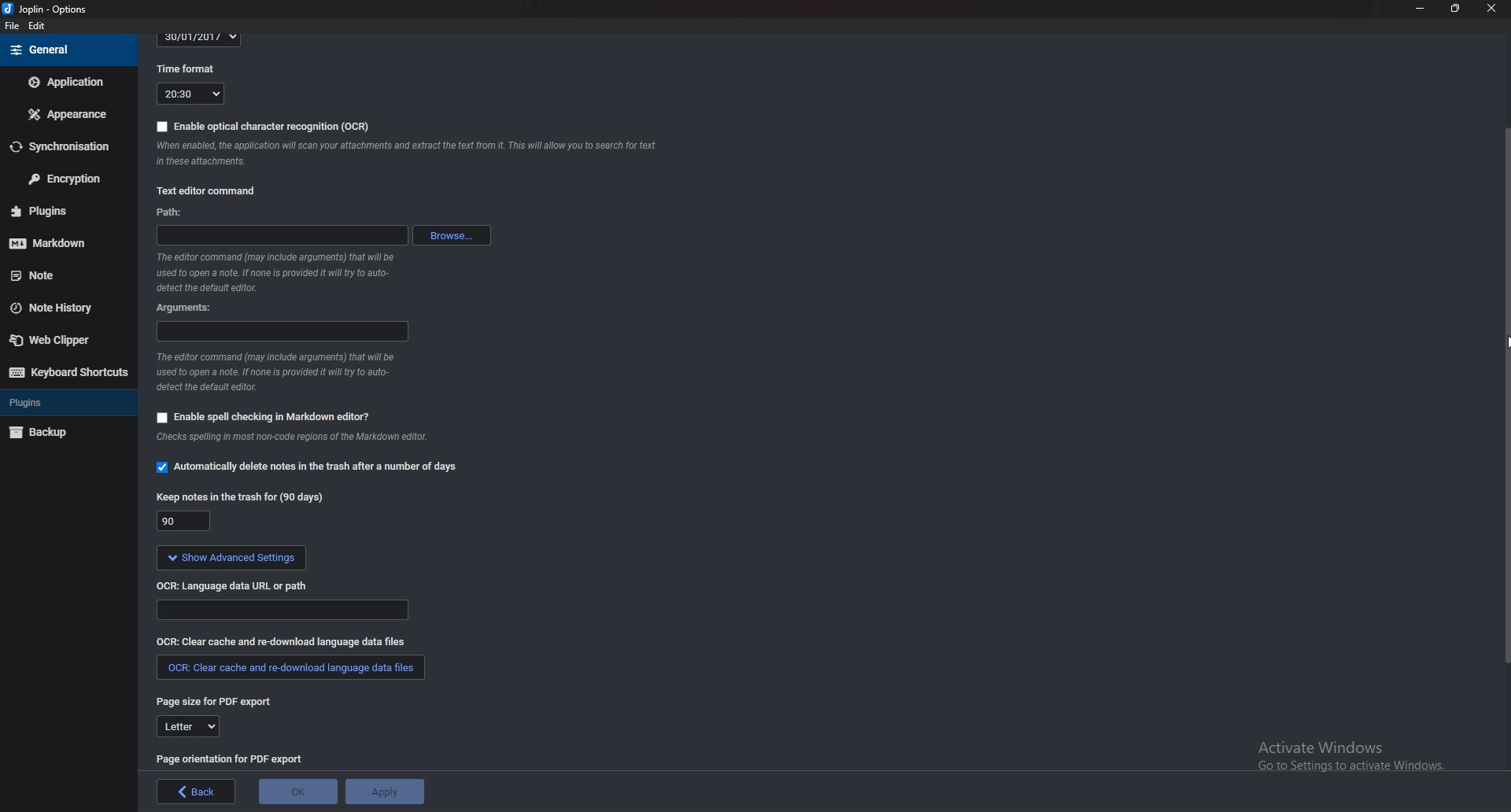 Image resolution: width=1511 pixels, height=812 pixels. I want to click on Markdown, so click(59, 242).